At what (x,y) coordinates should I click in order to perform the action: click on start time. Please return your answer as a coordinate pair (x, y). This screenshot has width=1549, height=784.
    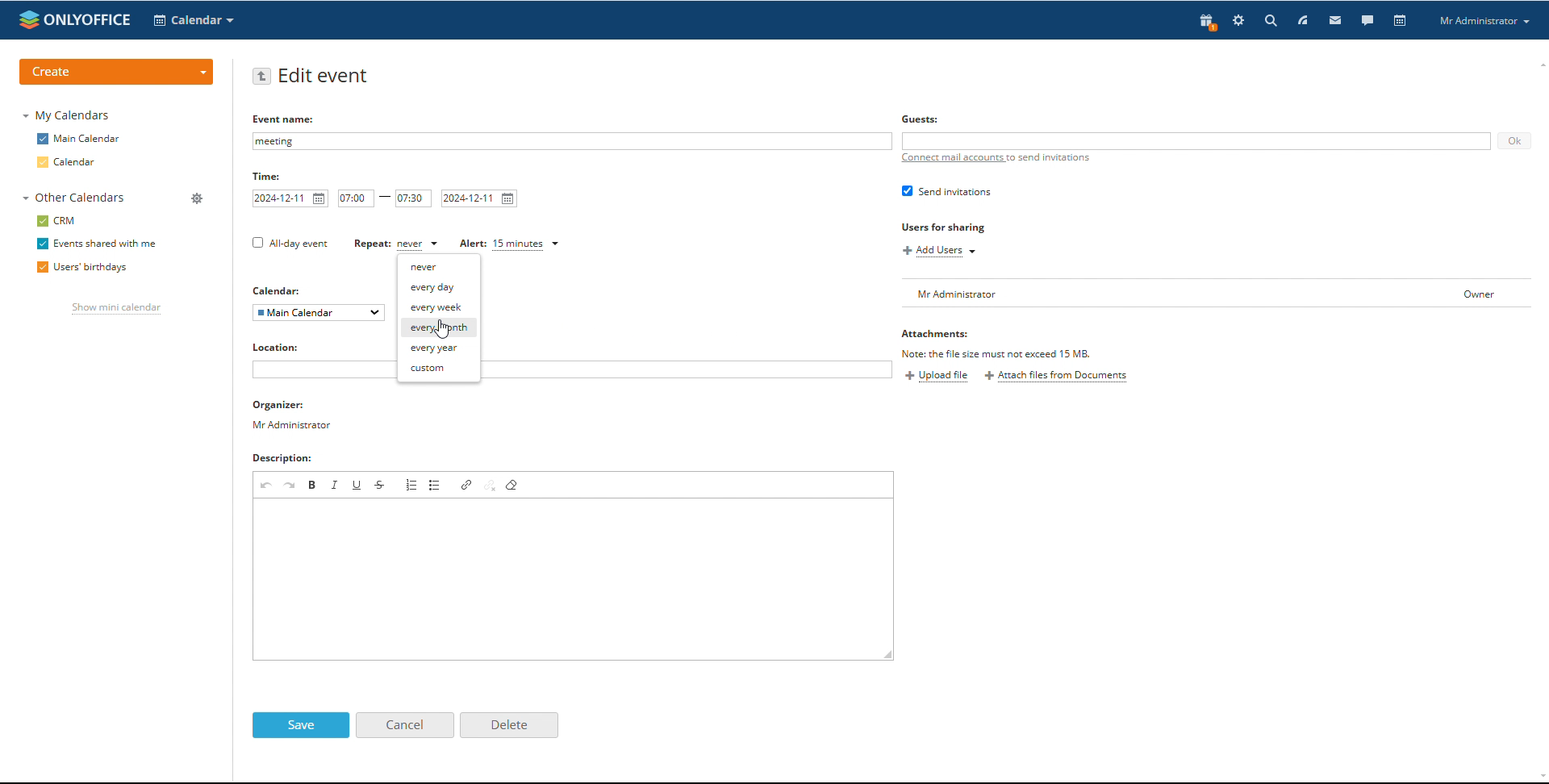
    Looking at the image, I should click on (356, 198).